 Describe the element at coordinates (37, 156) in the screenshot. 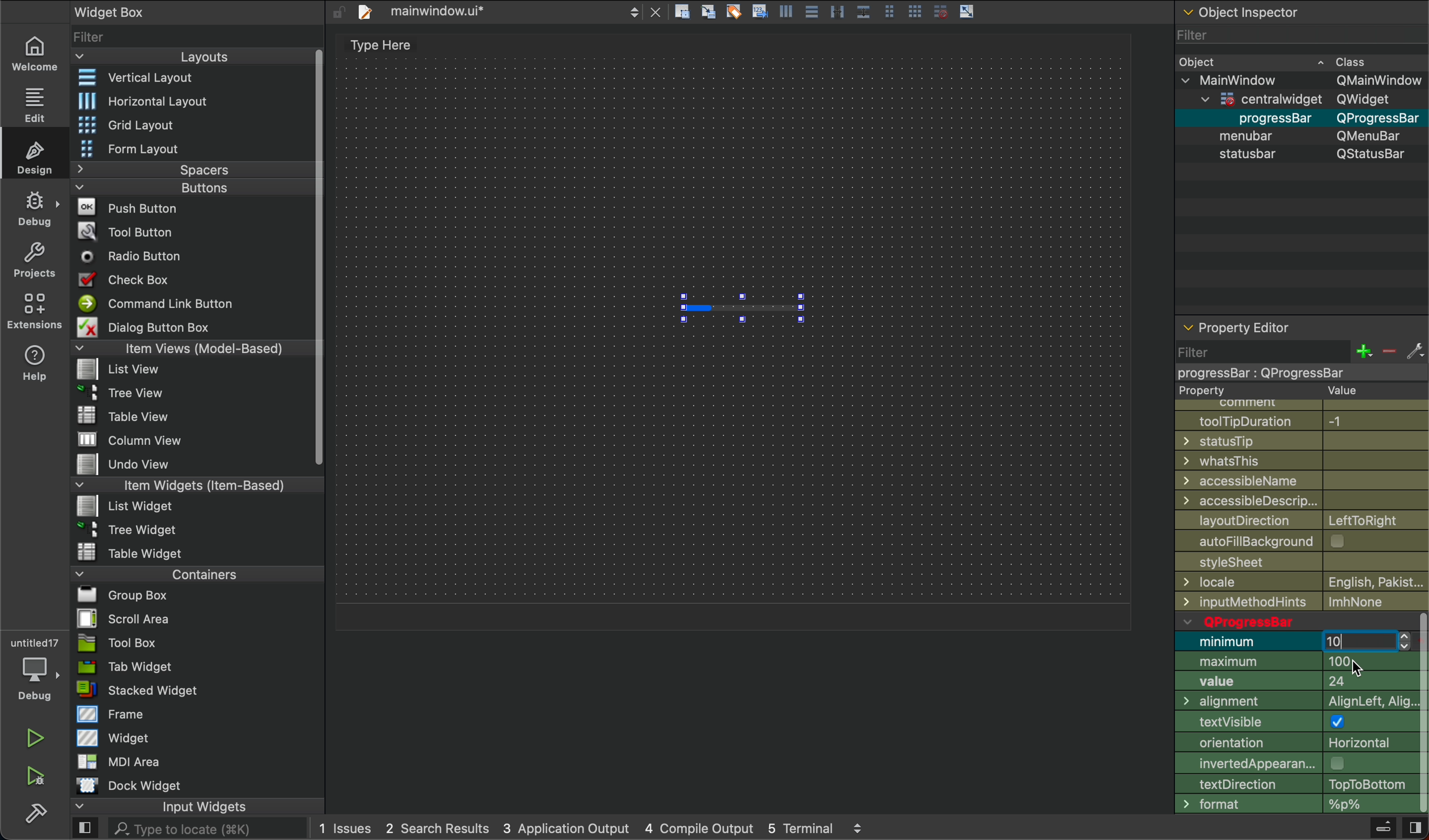

I see `design` at that location.